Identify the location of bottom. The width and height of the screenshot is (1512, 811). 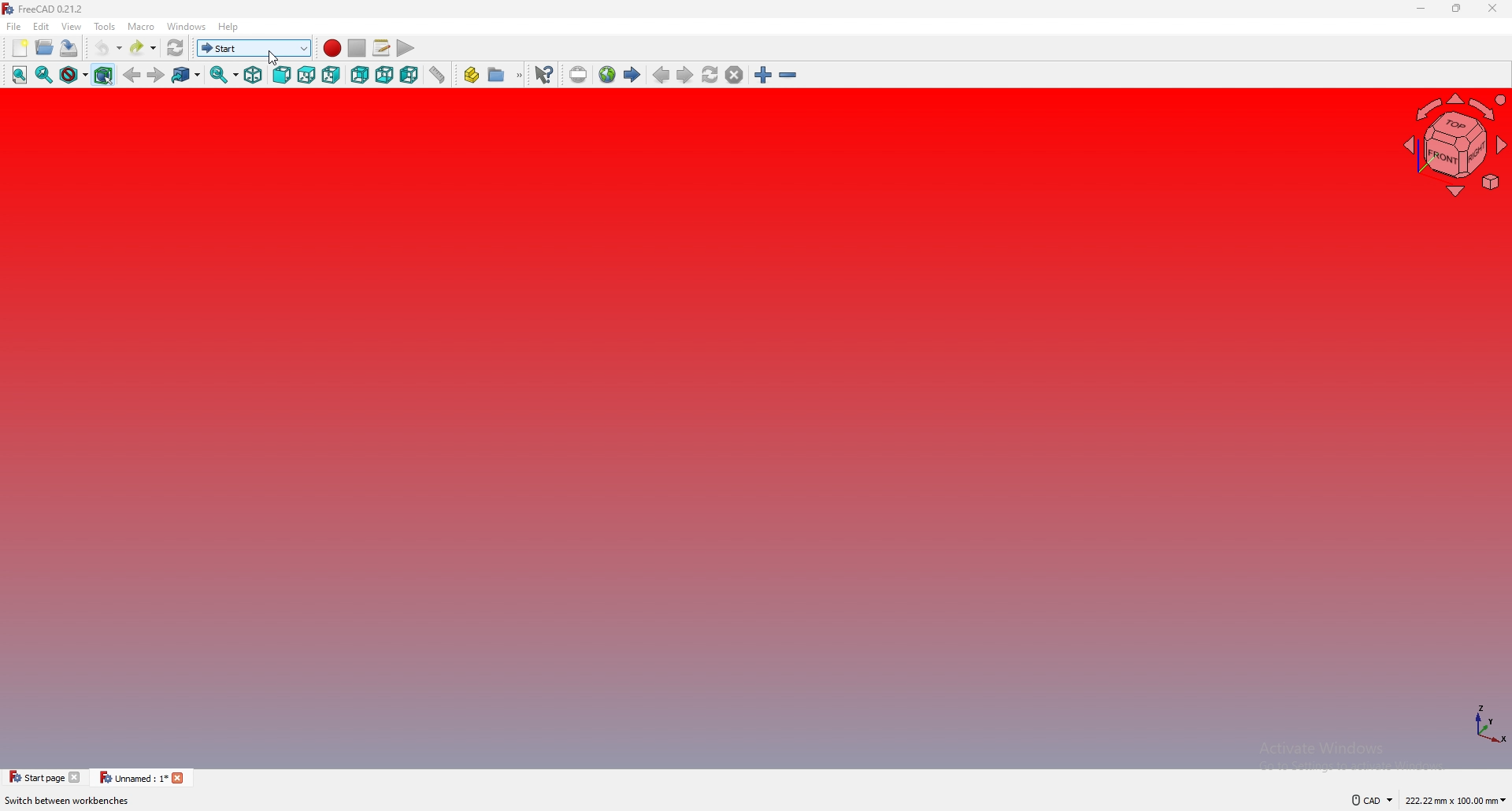
(384, 75).